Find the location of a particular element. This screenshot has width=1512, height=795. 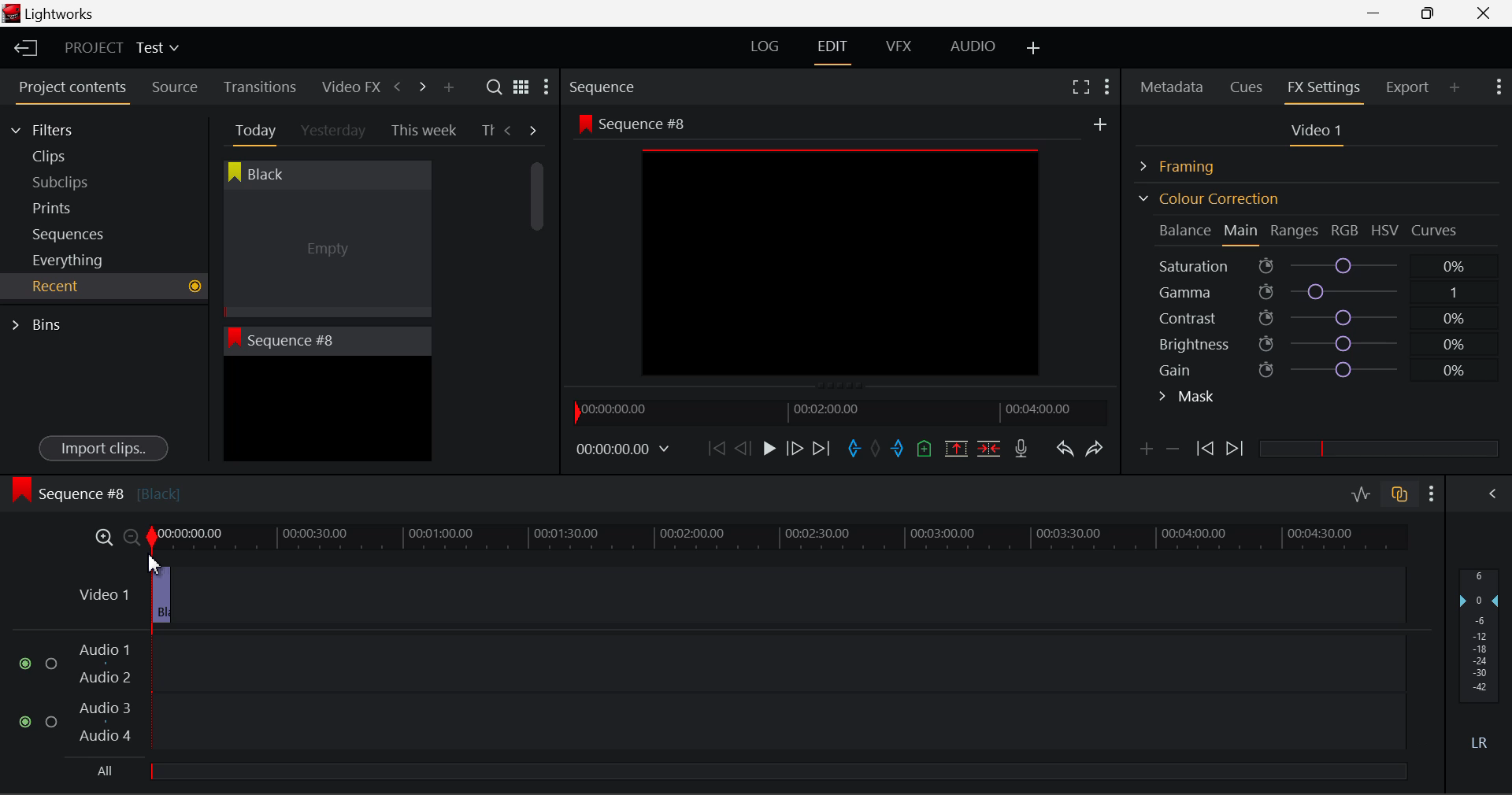

Cues Panel is located at coordinates (1248, 85).